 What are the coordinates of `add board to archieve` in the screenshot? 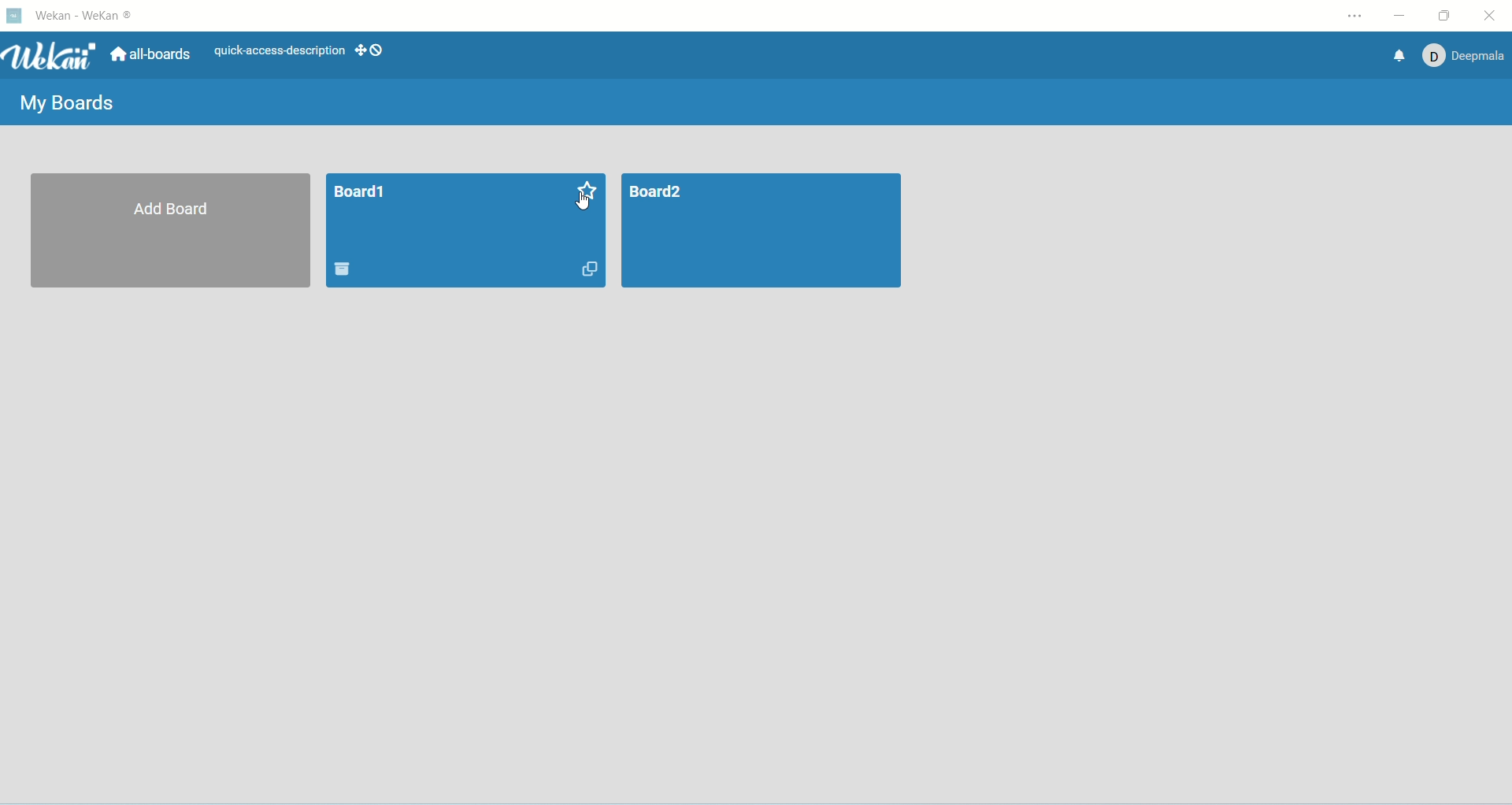 It's located at (344, 269).